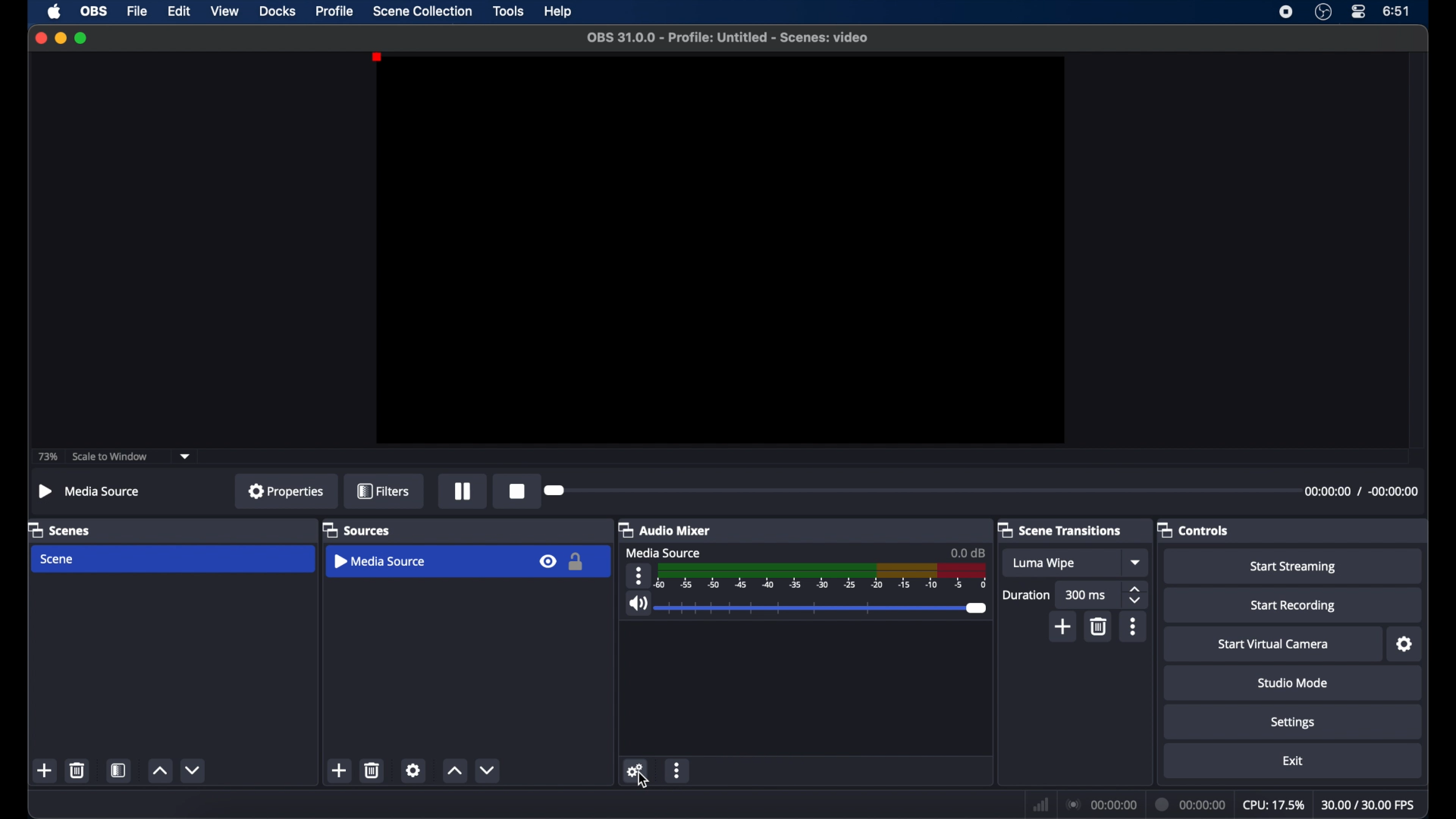  Describe the element at coordinates (678, 771) in the screenshot. I see `more options` at that location.